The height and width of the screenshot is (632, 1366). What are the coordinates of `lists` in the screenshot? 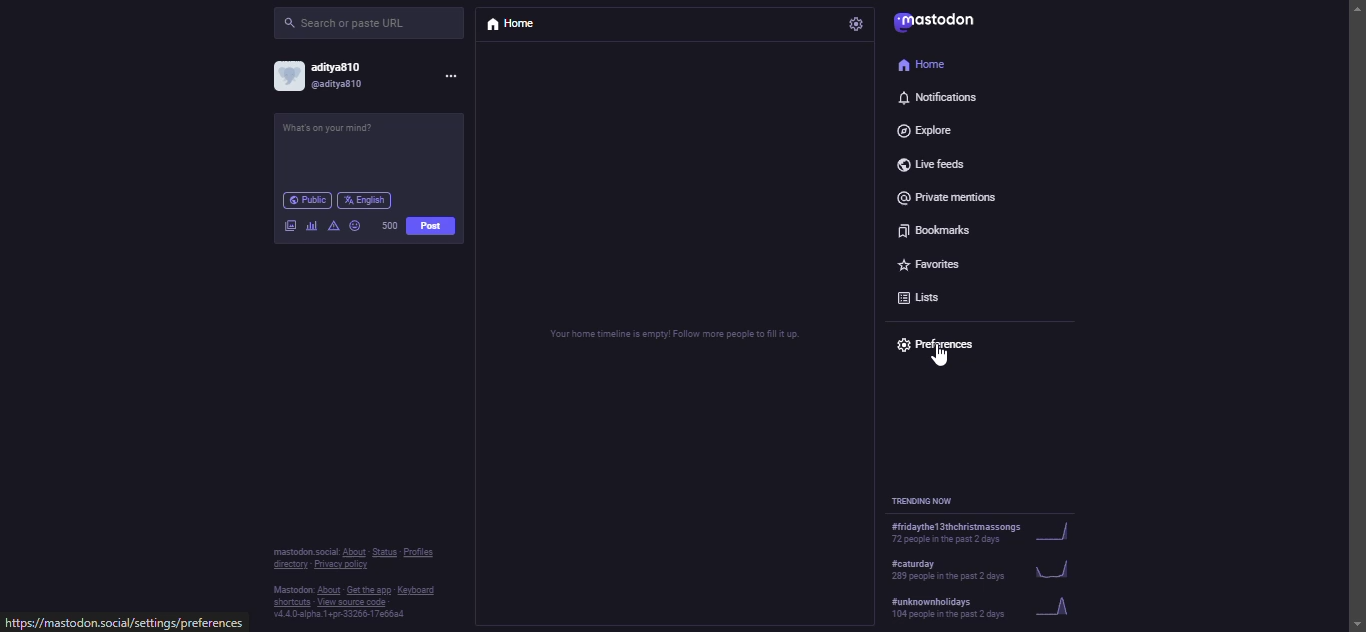 It's located at (923, 293).